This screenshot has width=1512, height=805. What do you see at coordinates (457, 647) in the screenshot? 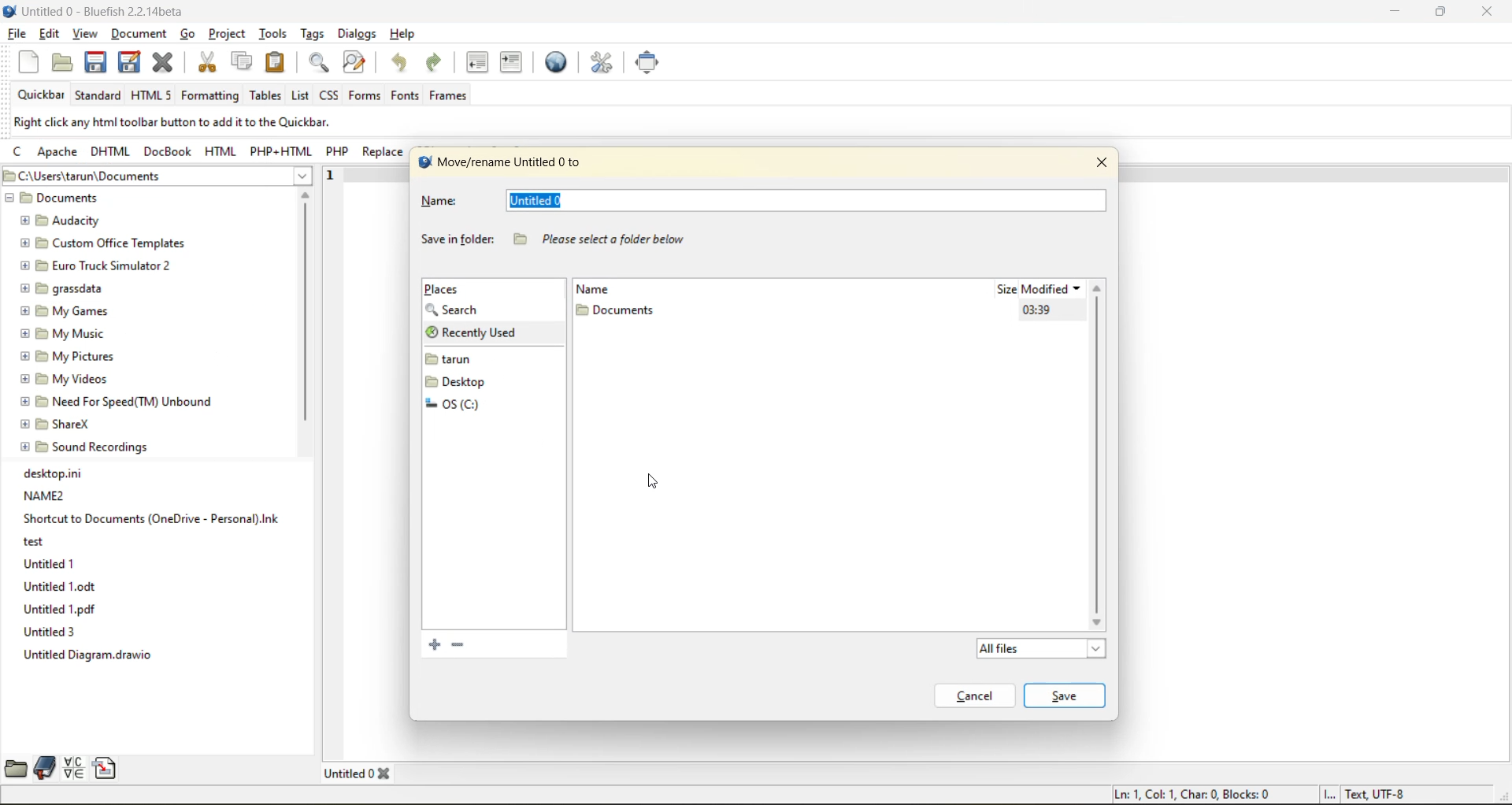
I see `remove the selected bookmark` at bounding box center [457, 647].